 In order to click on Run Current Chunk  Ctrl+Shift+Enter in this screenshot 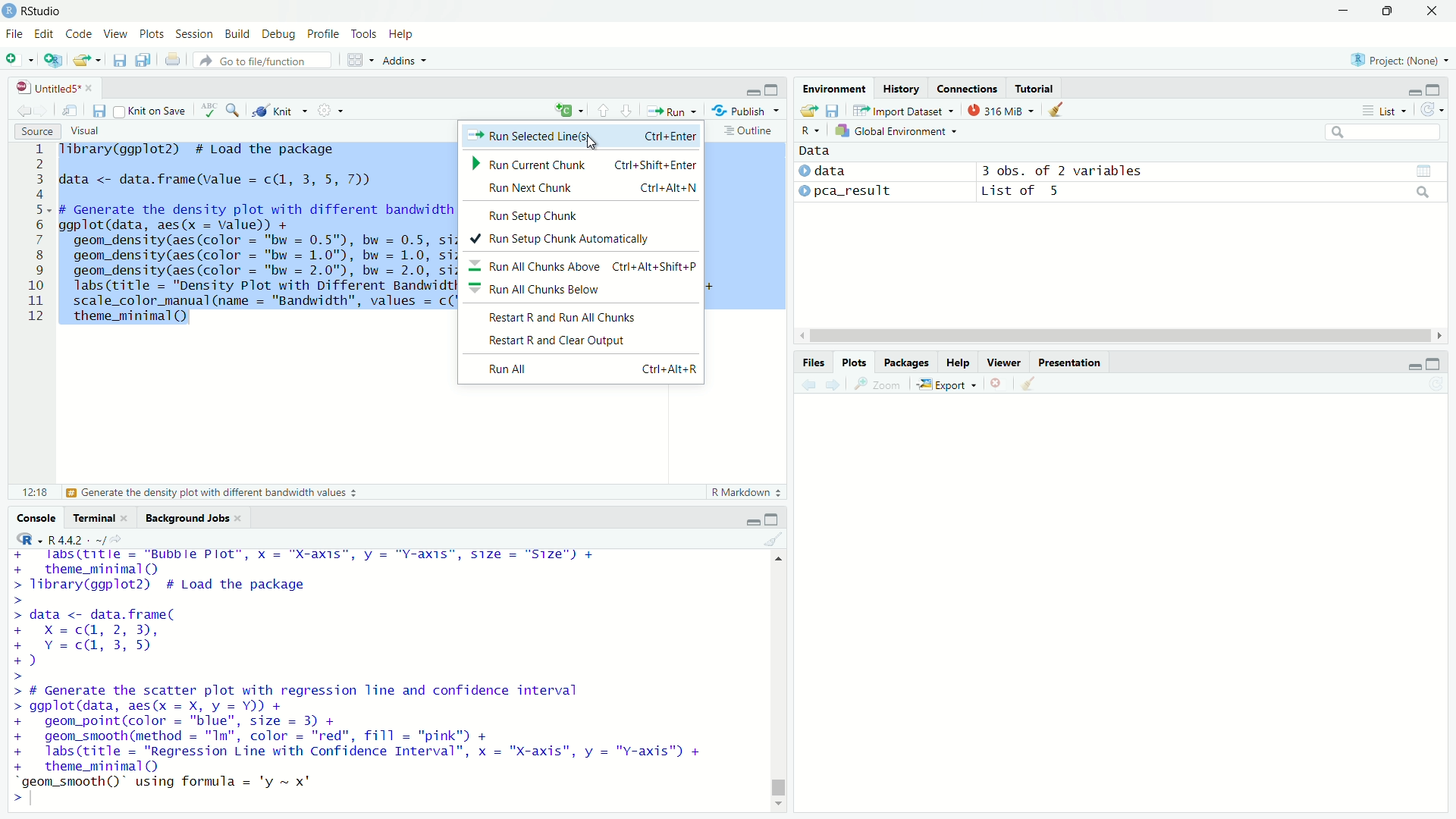, I will do `click(584, 163)`.